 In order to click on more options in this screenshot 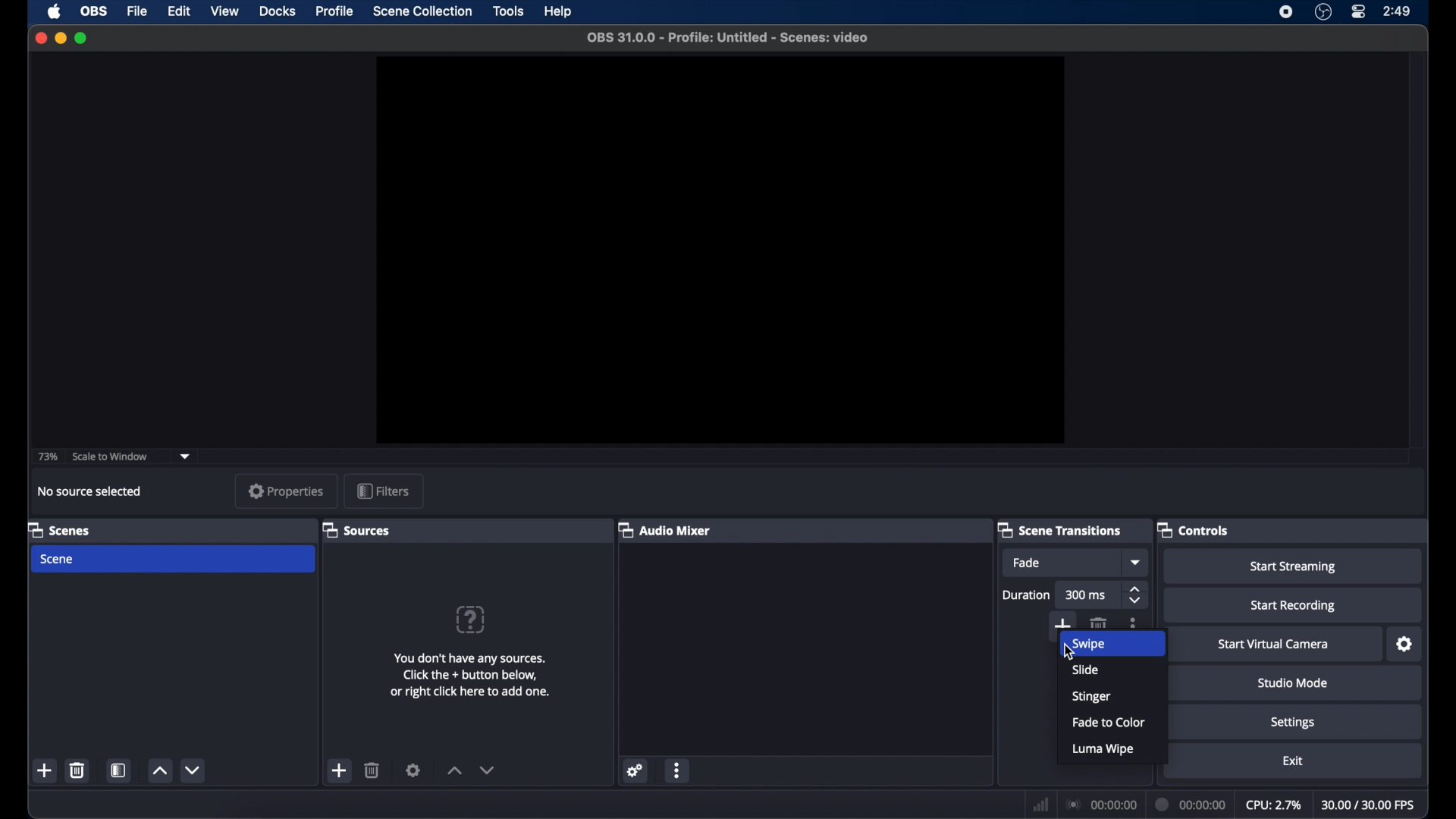, I will do `click(678, 770)`.